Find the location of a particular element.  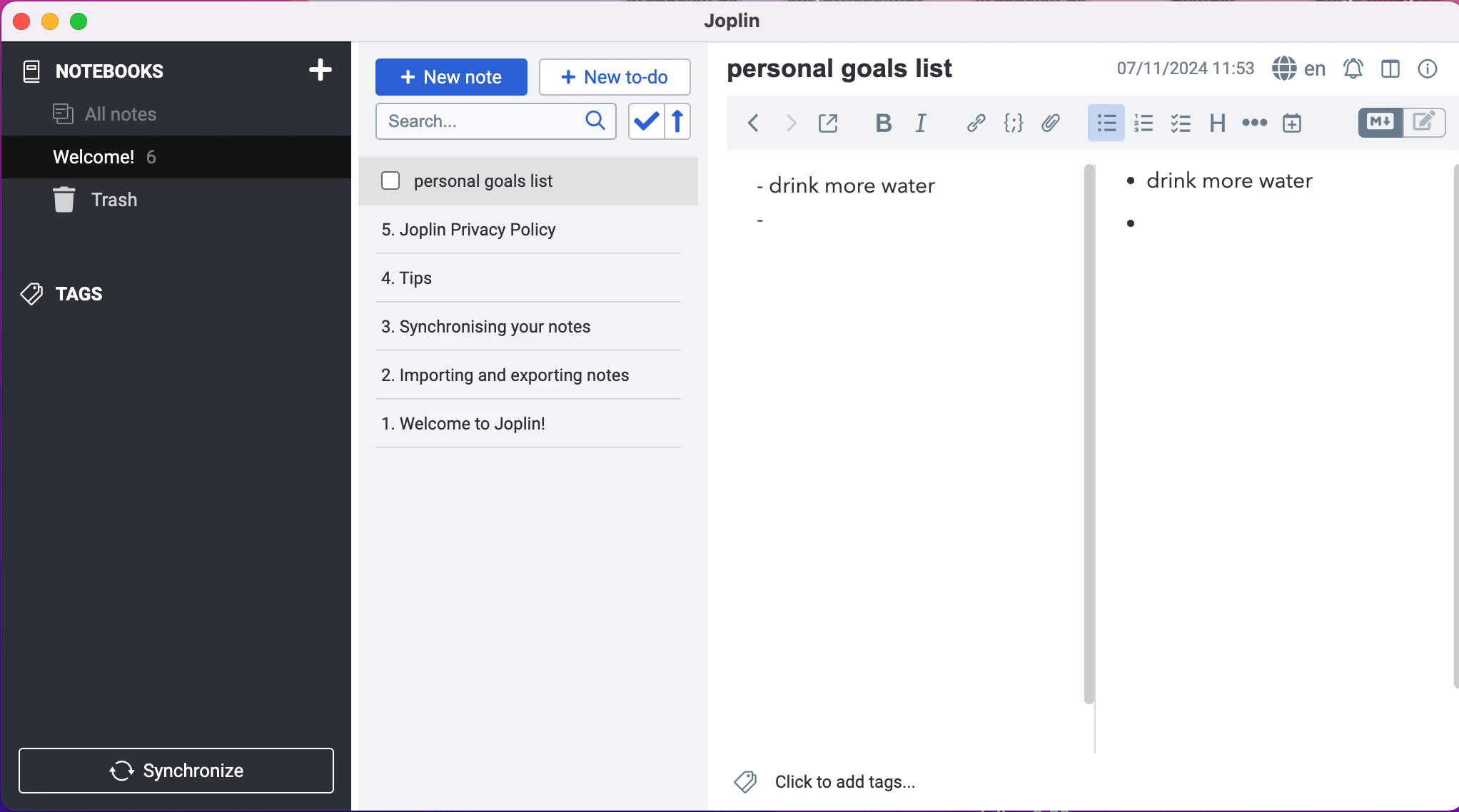

language is located at coordinates (1298, 66).